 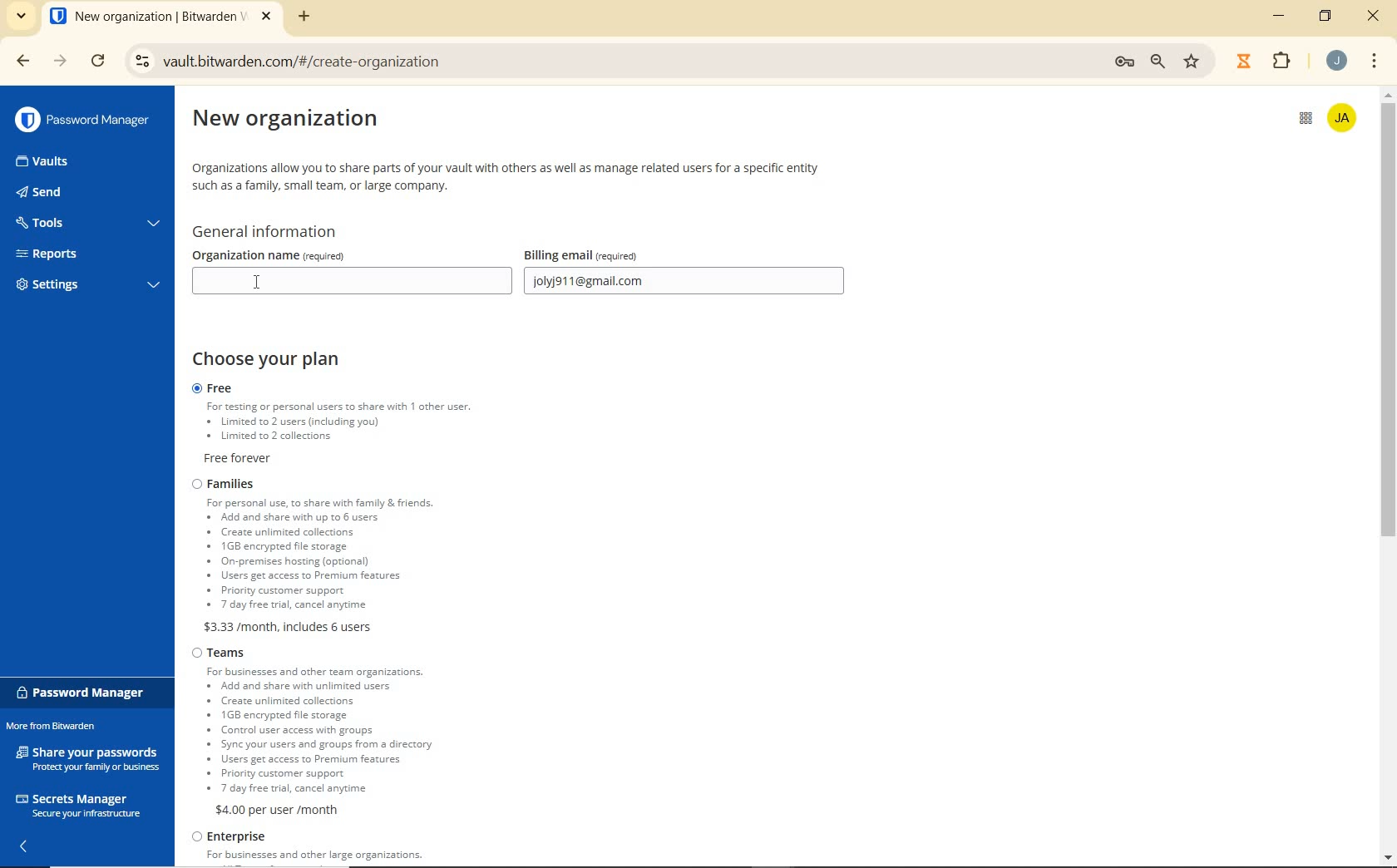 I want to click on Bitwarden Web Vault, so click(x=160, y=18).